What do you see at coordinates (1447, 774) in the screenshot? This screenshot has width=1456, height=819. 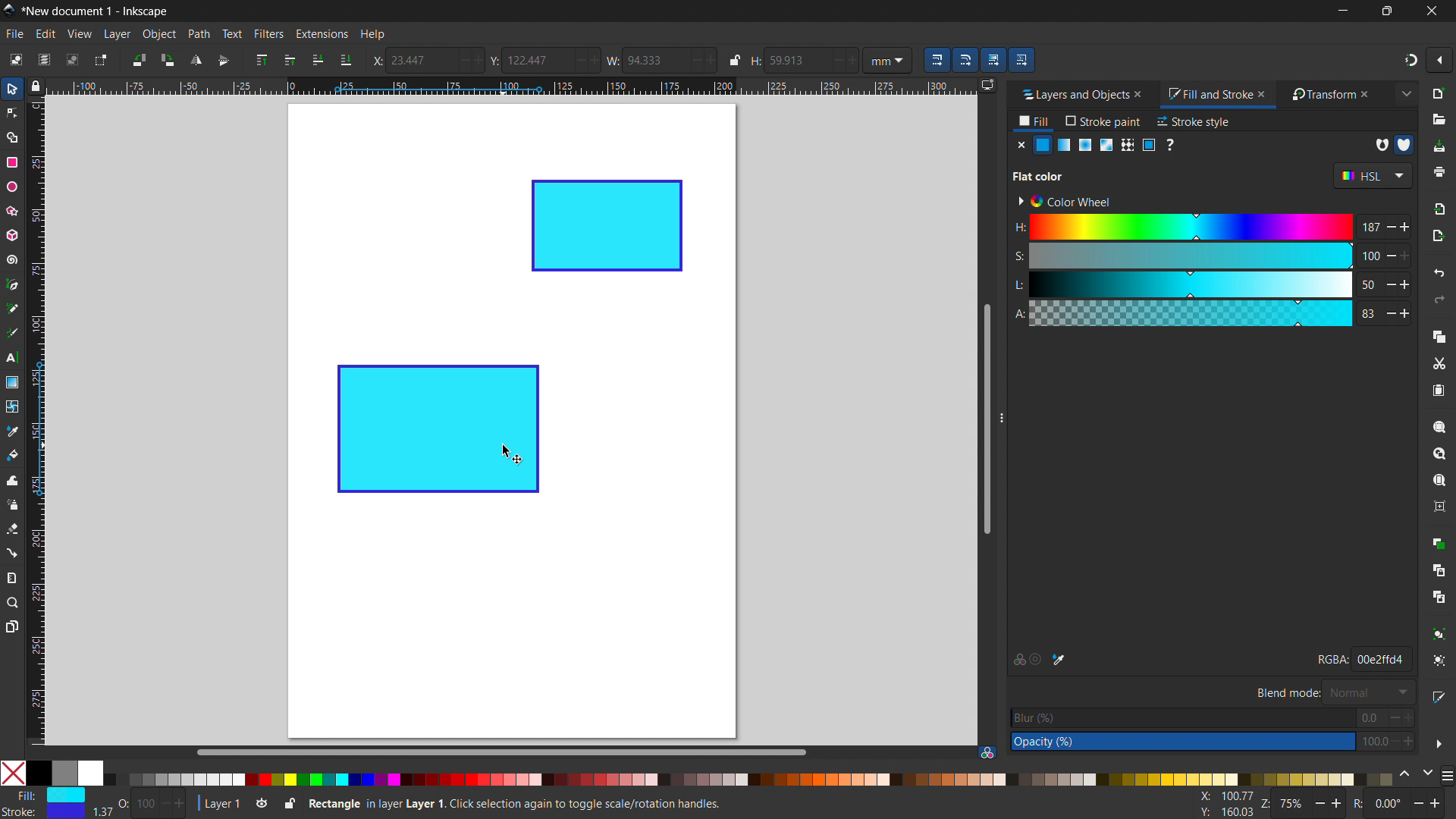 I see `more color opyions` at bounding box center [1447, 774].